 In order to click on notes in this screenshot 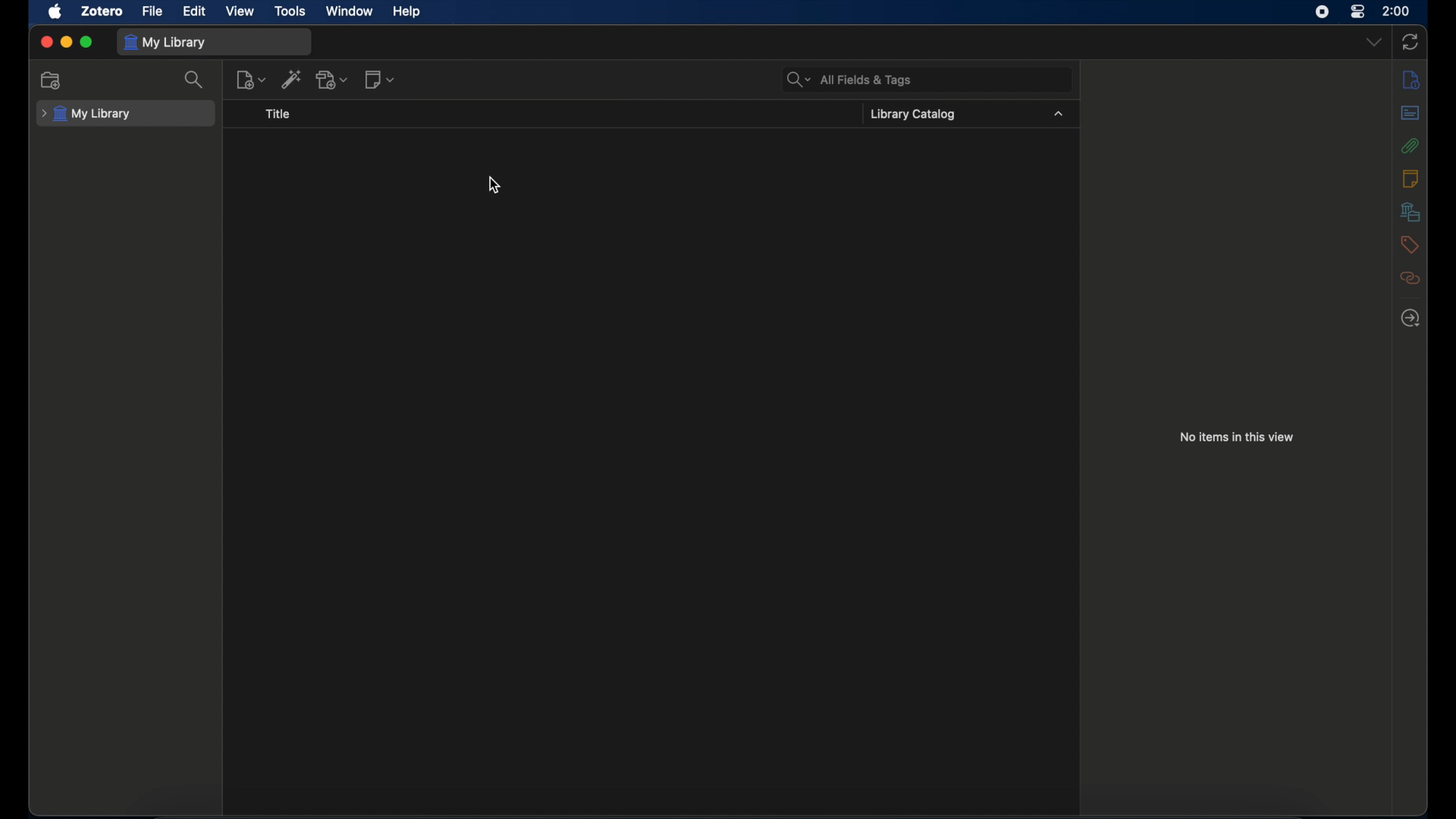, I will do `click(1411, 179)`.